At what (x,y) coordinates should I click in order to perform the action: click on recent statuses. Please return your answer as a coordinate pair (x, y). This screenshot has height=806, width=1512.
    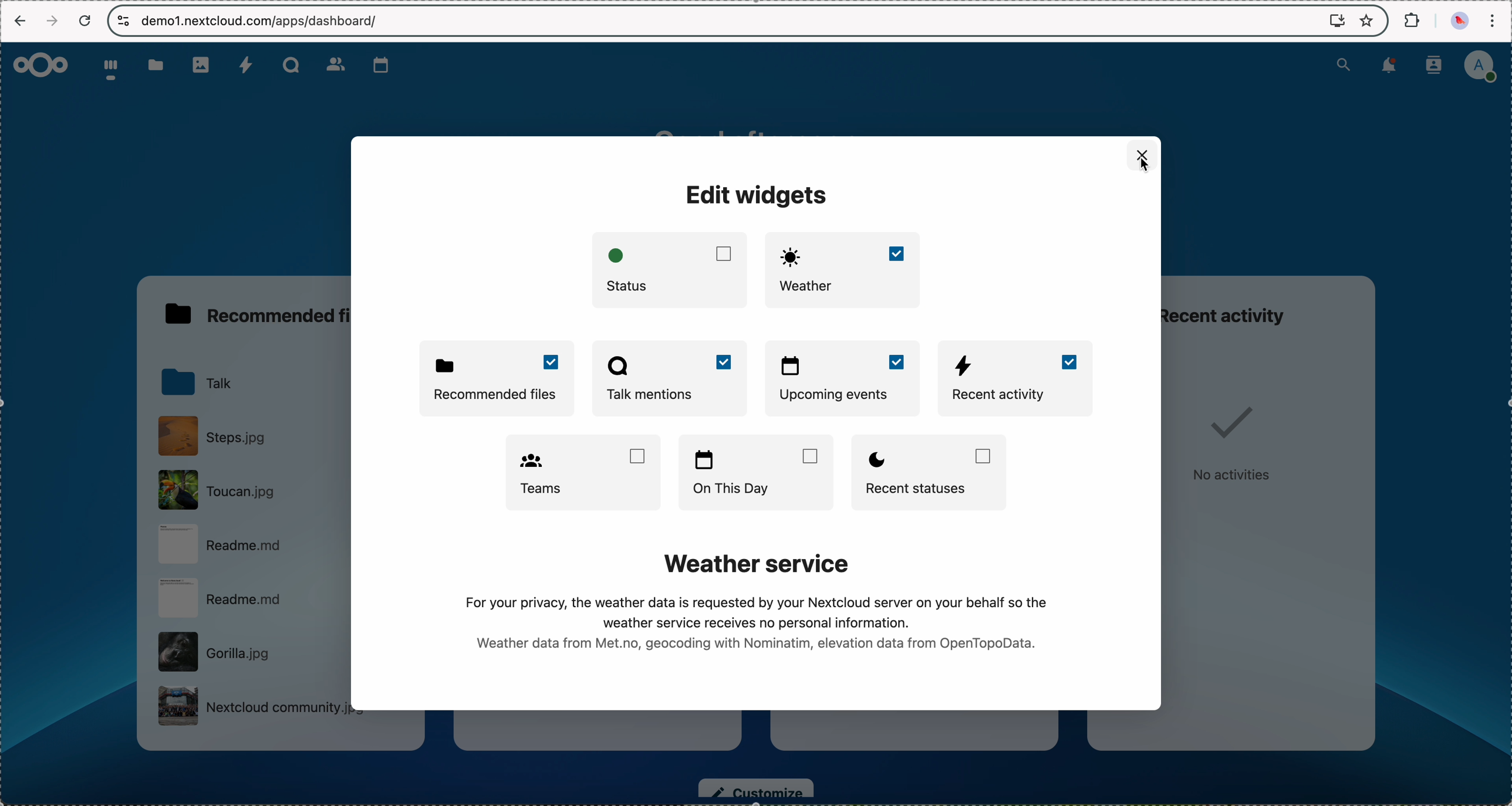
    Looking at the image, I should click on (934, 472).